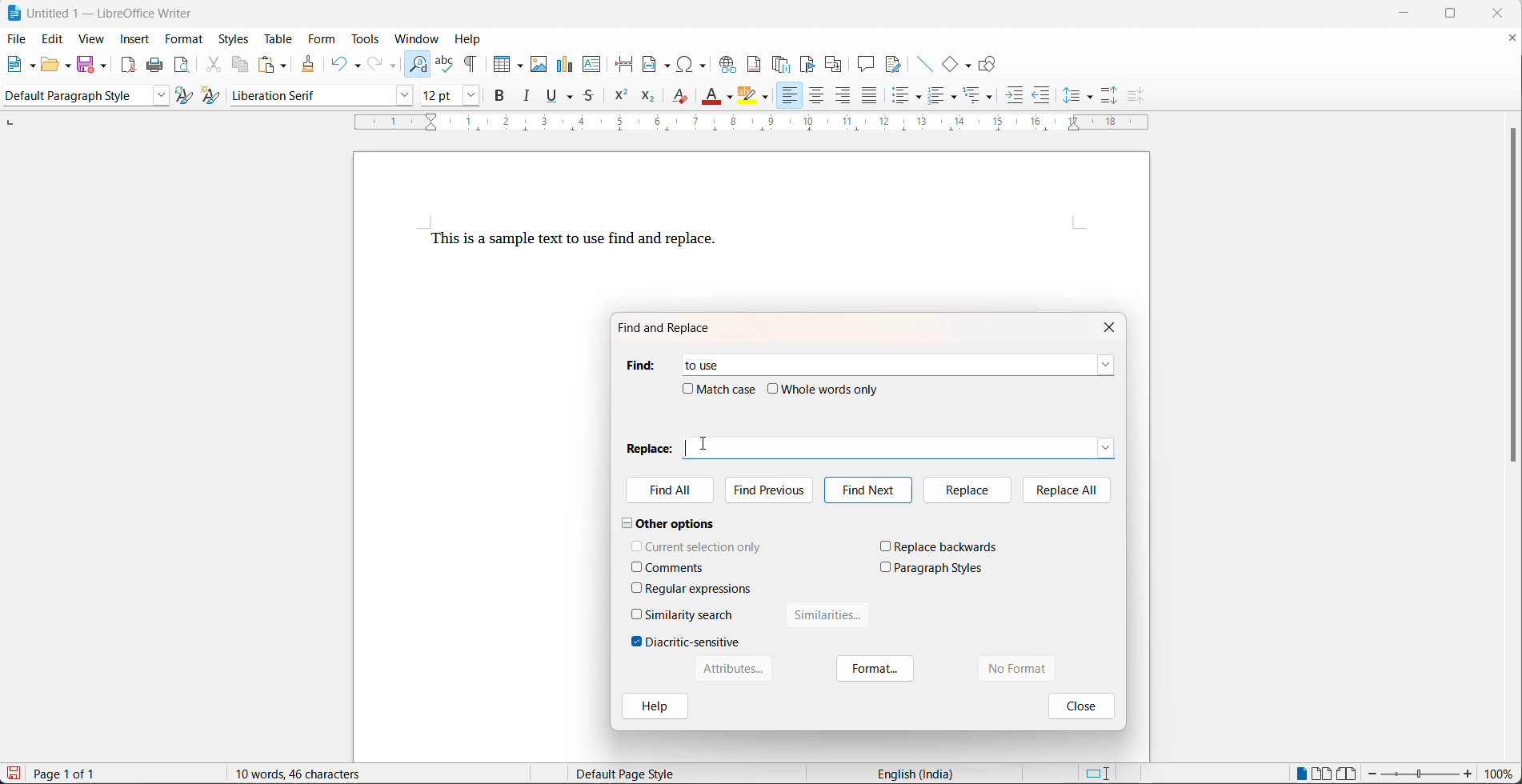 Image resolution: width=1522 pixels, height=784 pixels. Describe the element at coordinates (551, 98) in the screenshot. I see `underline` at that location.